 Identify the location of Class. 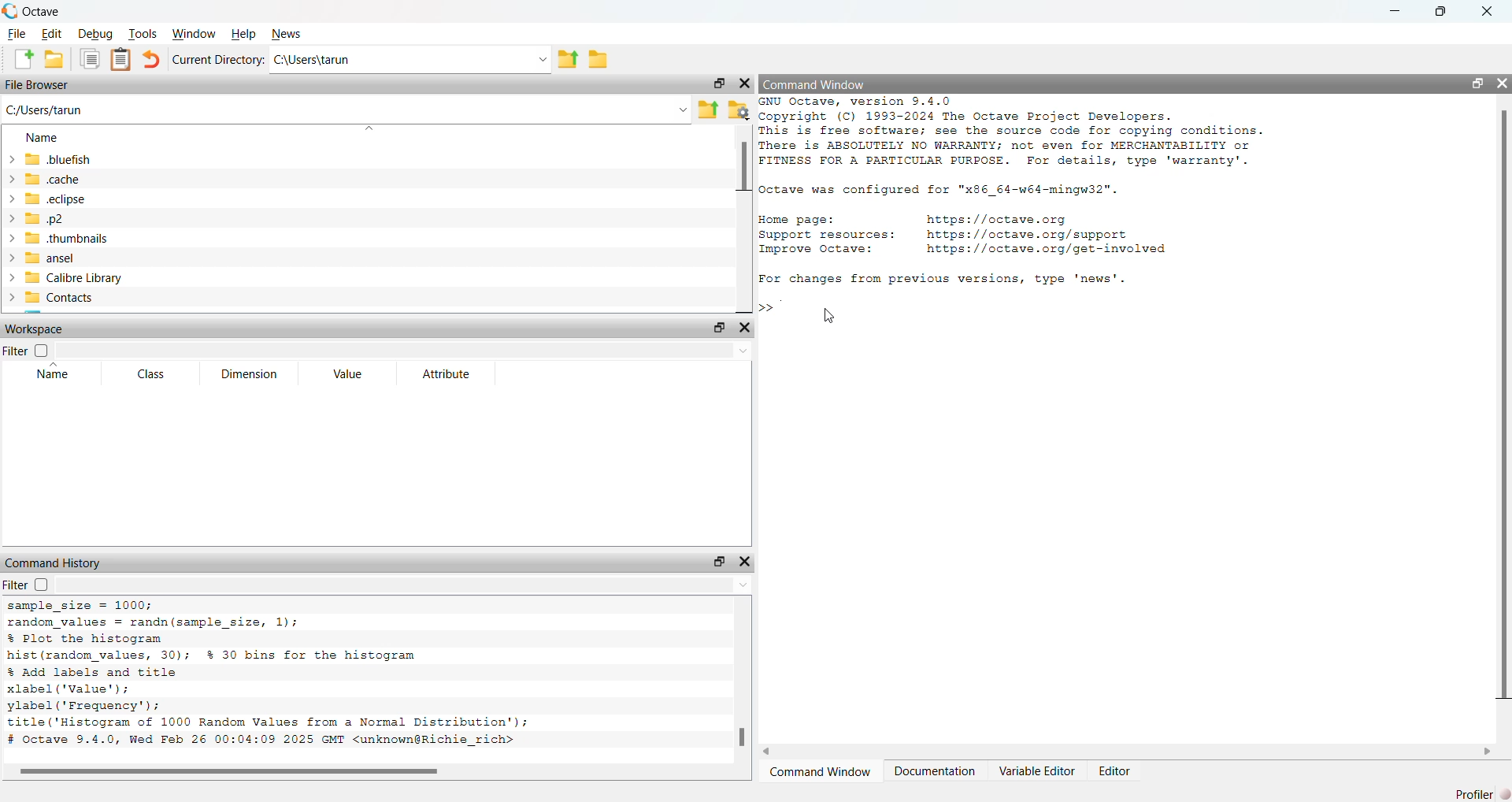
(155, 374).